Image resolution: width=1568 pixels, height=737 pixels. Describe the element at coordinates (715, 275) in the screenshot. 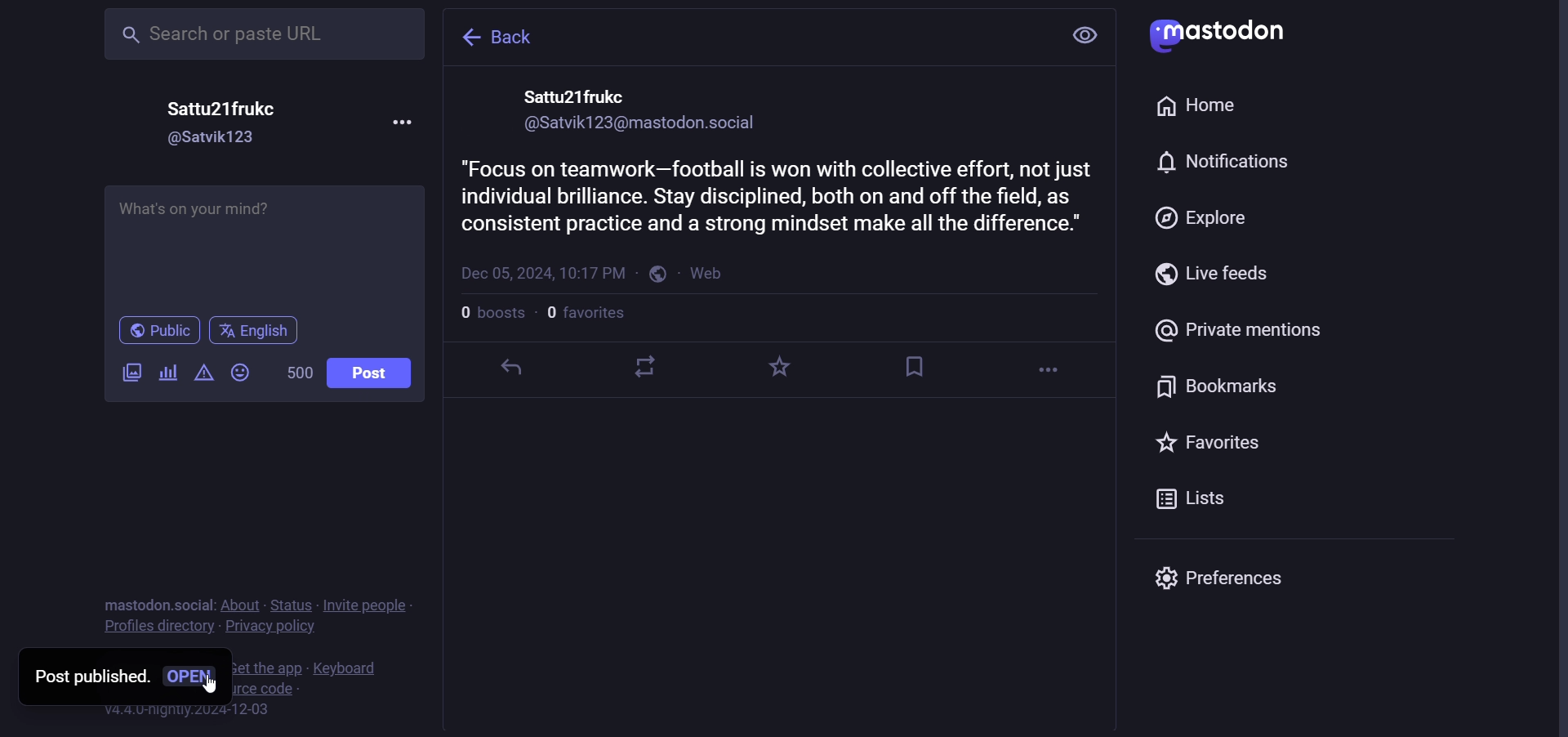

I see `web` at that location.